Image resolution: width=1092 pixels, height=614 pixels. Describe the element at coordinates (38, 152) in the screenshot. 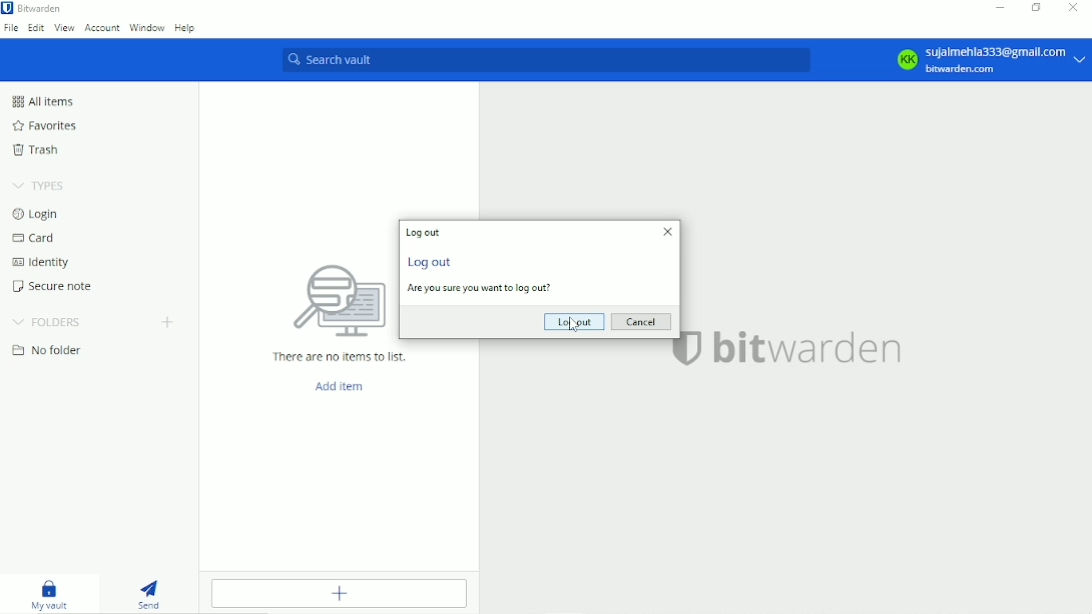

I see `Trash` at that location.